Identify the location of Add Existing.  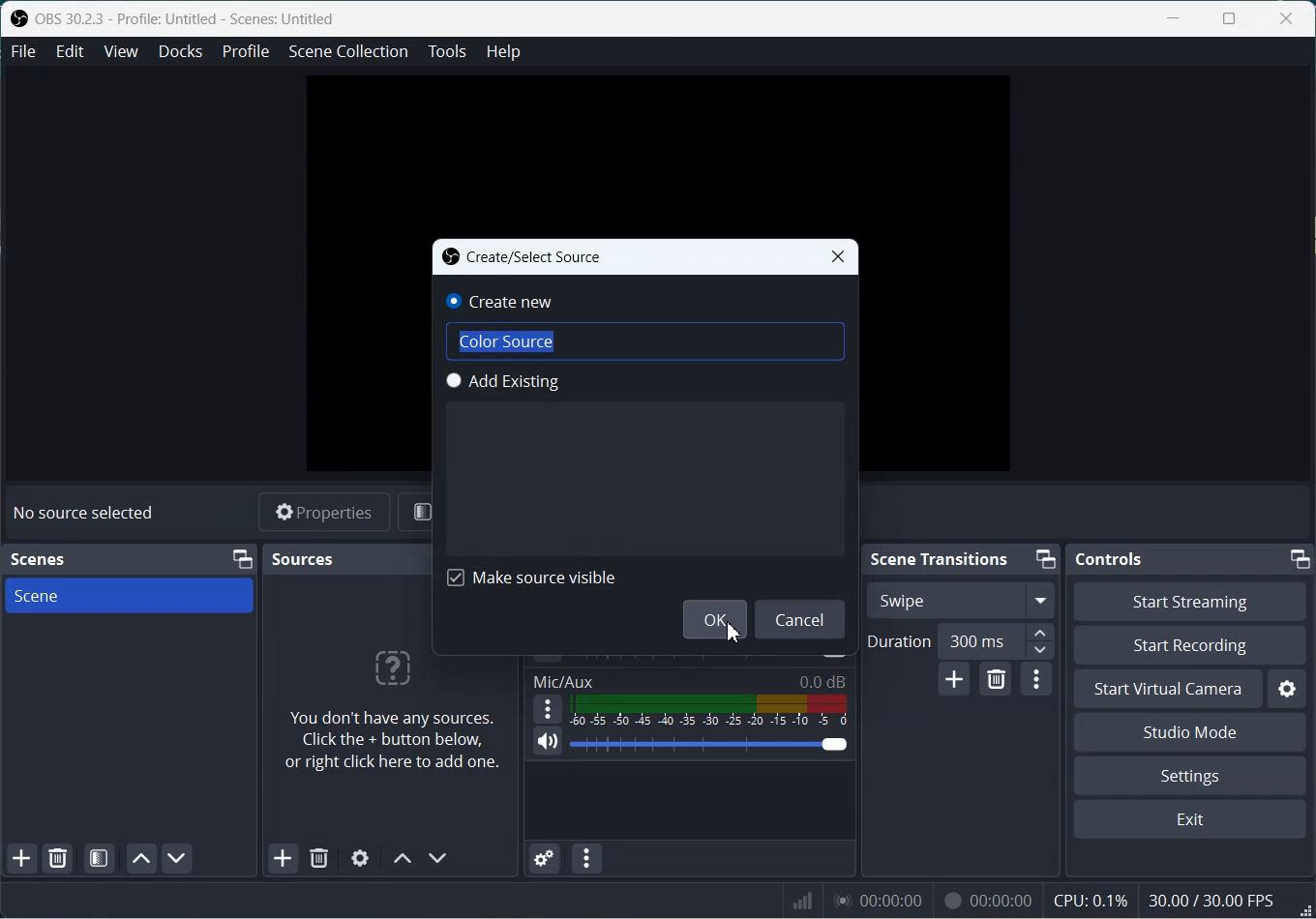
(506, 381).